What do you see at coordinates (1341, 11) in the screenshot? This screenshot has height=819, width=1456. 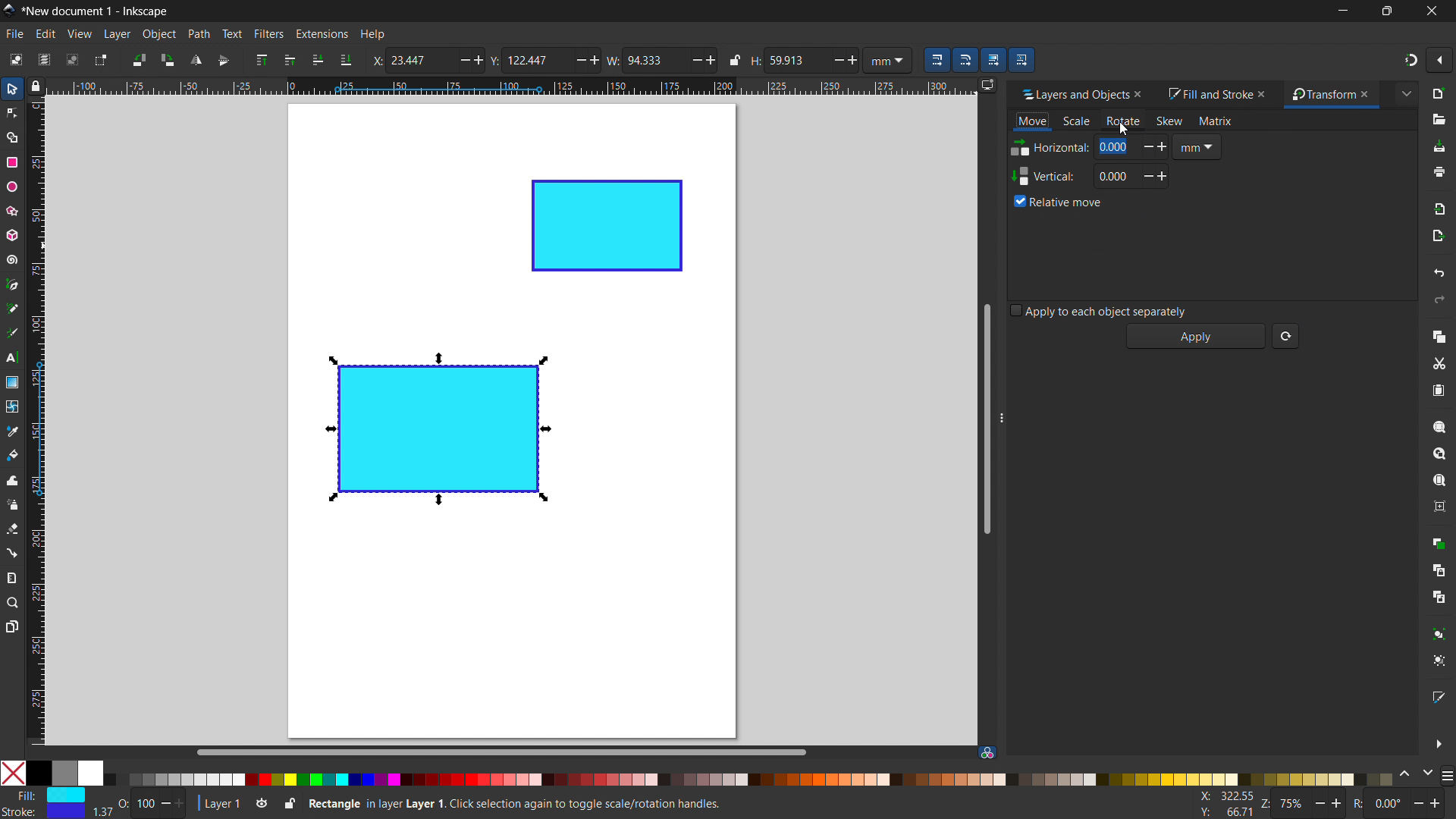 I see `minimize` at bounding box center [1341, 11].